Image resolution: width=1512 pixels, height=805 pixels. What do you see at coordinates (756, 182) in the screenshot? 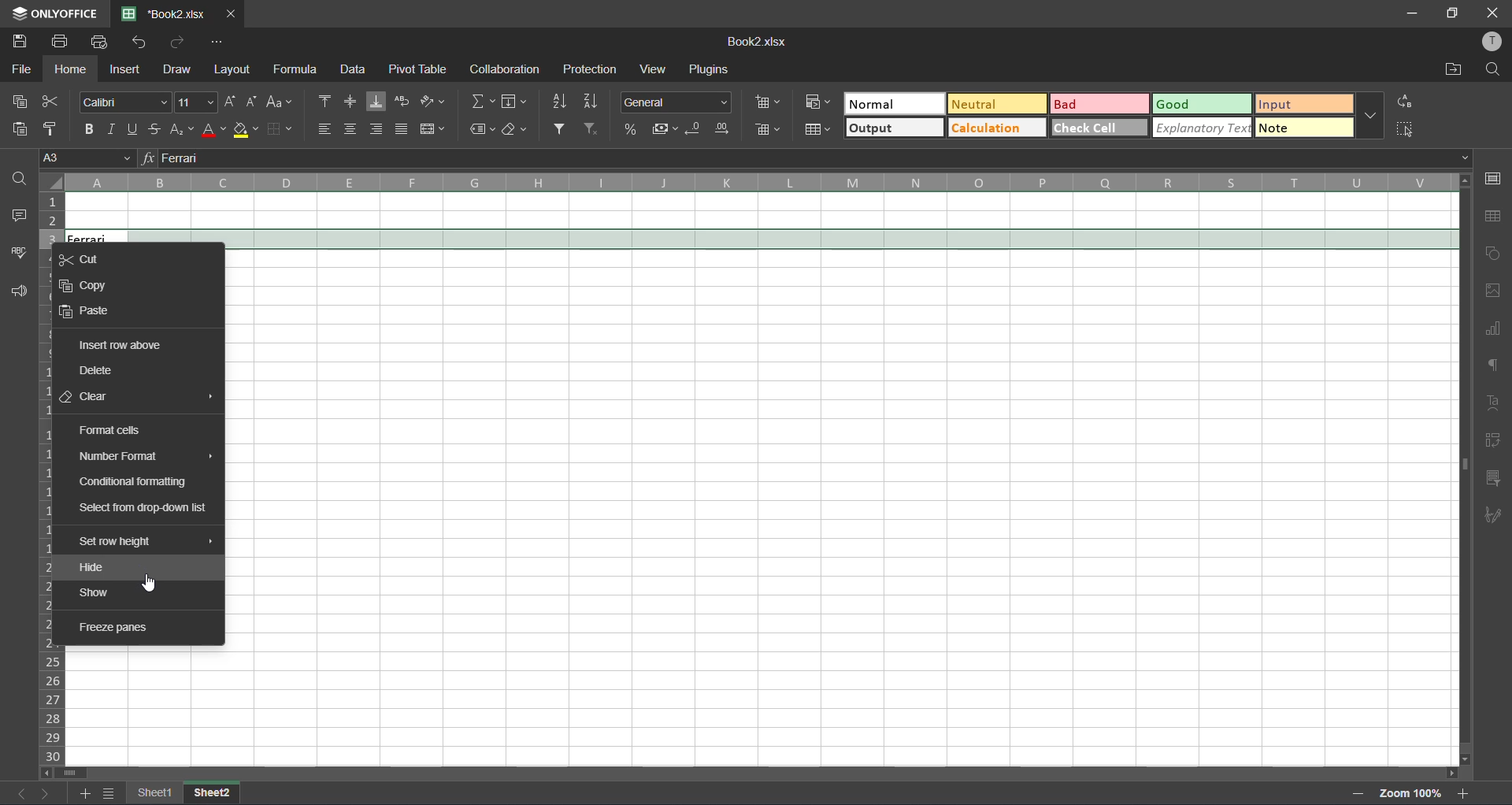
I see `column names` at bounding box center [756, 182].